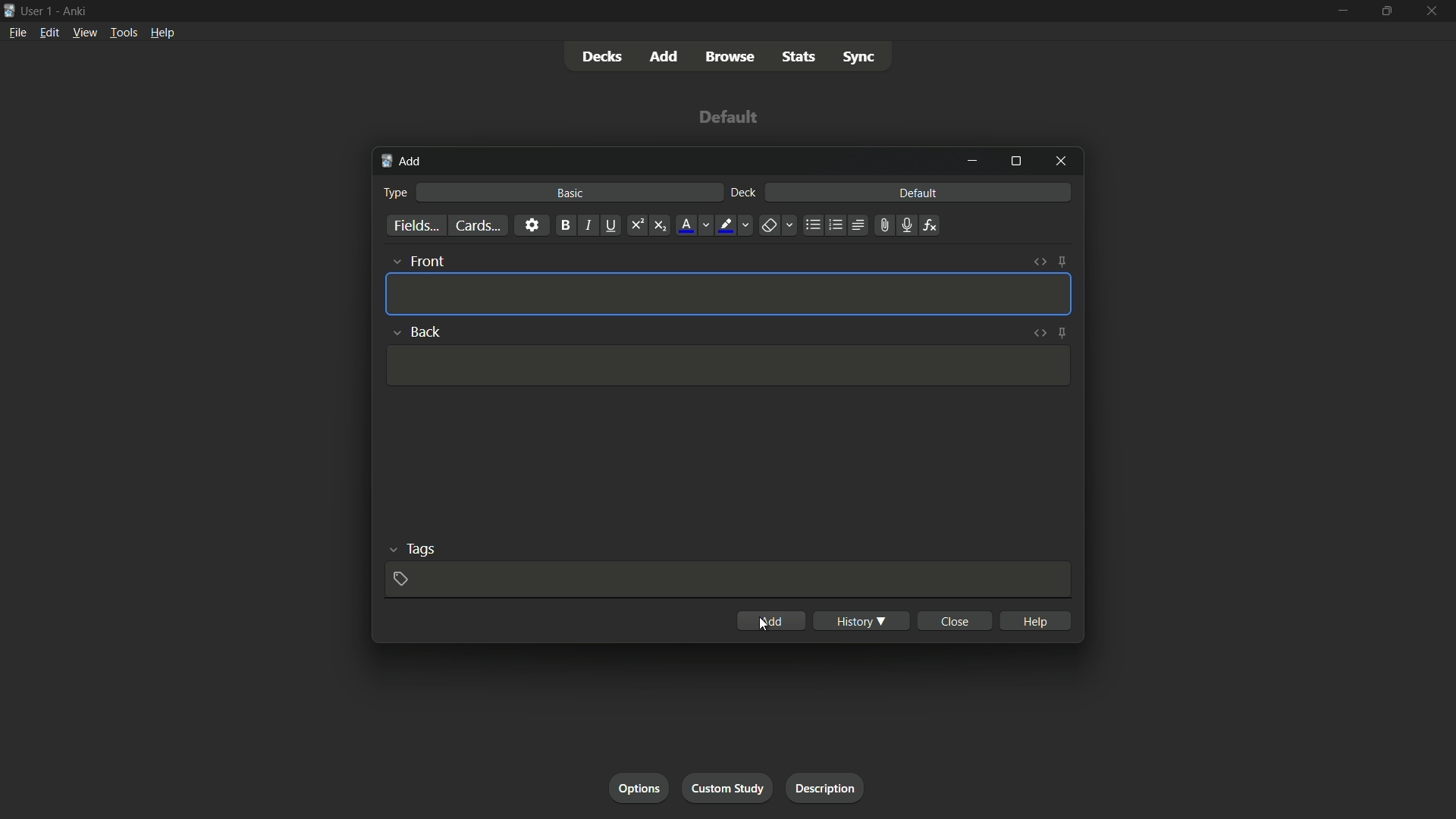 The height and width of the screenshot is (819, 1456). I want to click on Ankri, so click(72, 10).